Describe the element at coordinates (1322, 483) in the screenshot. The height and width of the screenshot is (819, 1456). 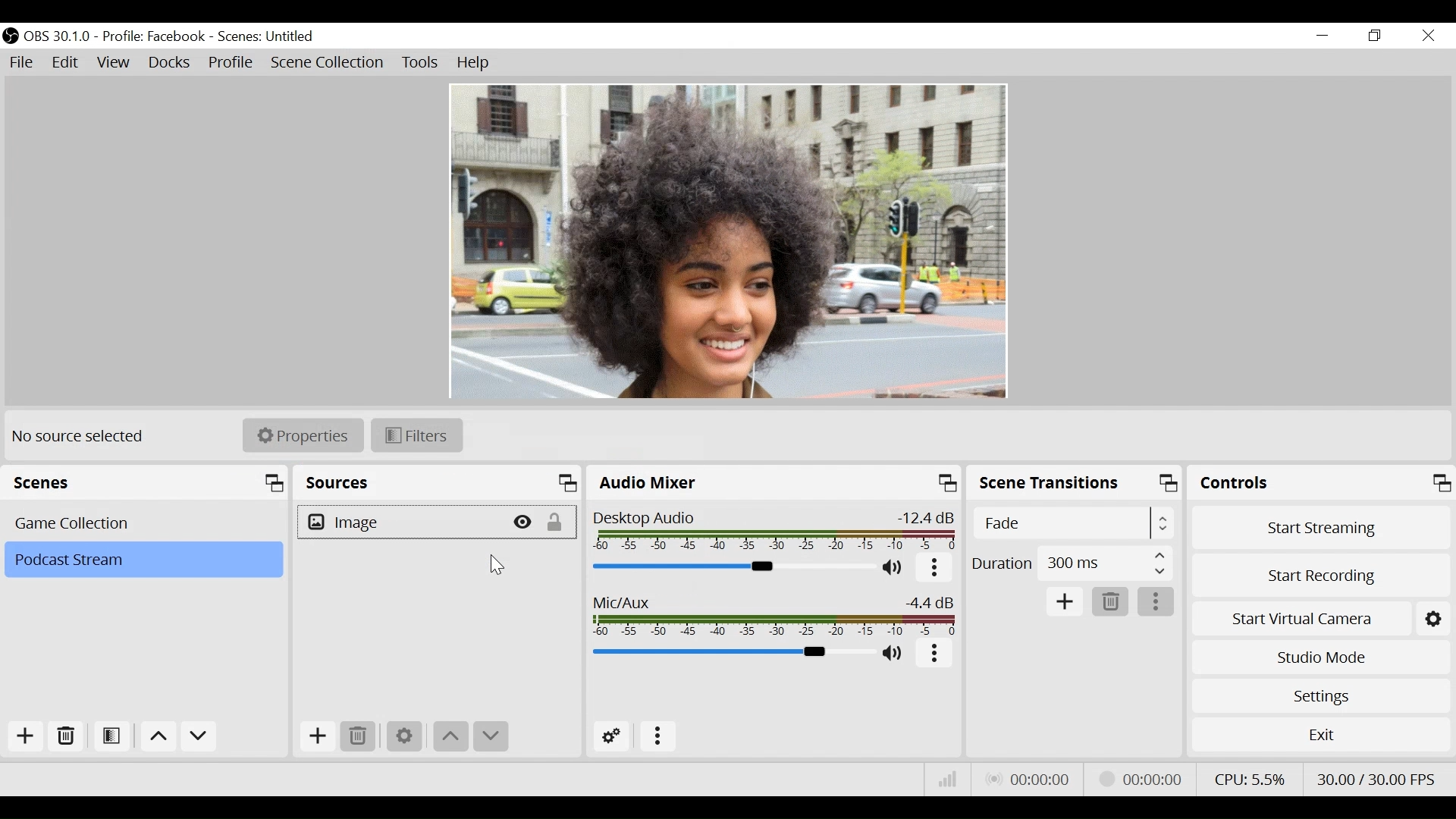
I see `Controls` at that location.